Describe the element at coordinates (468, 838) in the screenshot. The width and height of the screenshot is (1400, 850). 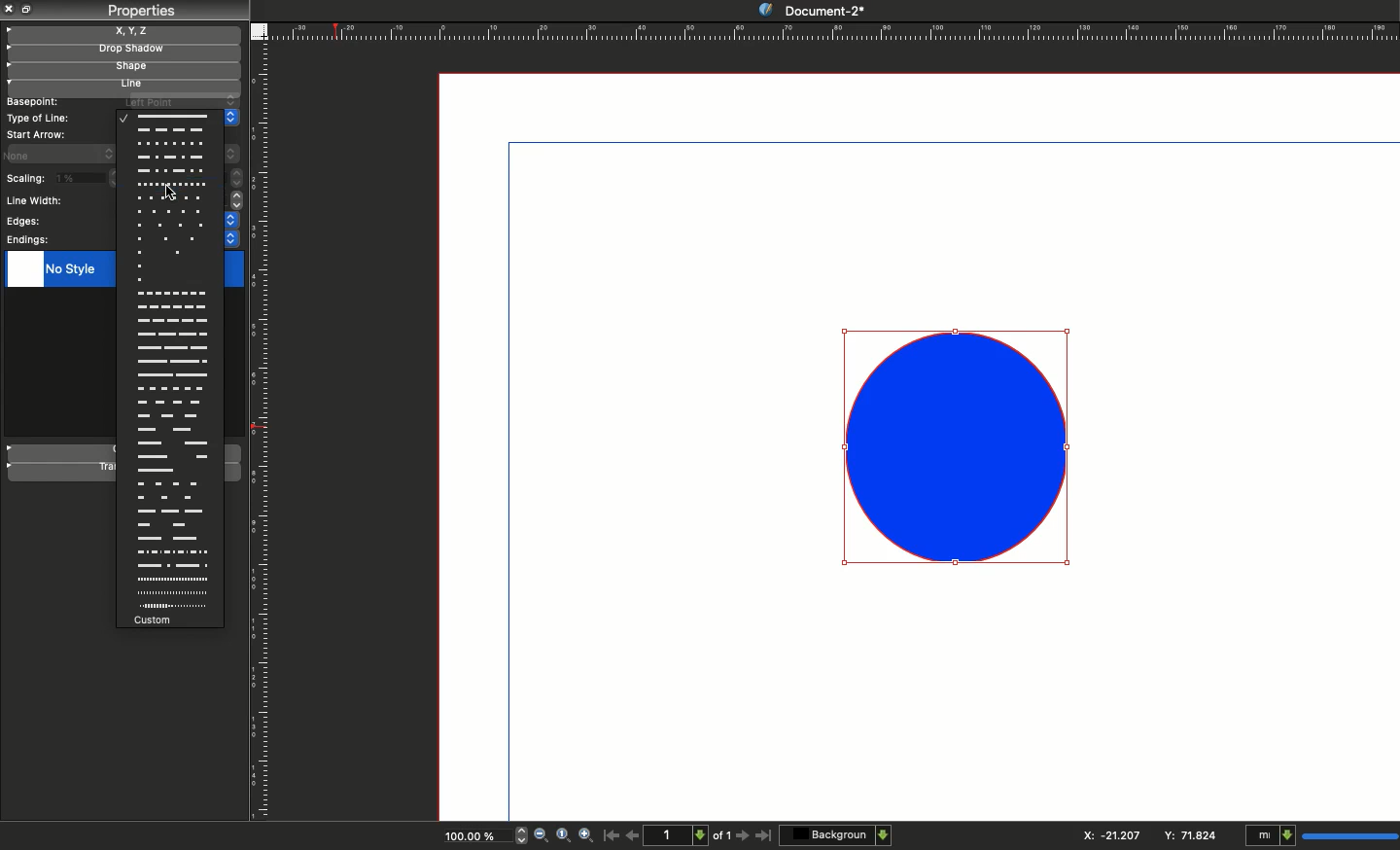
I see `100.00%` at that location.